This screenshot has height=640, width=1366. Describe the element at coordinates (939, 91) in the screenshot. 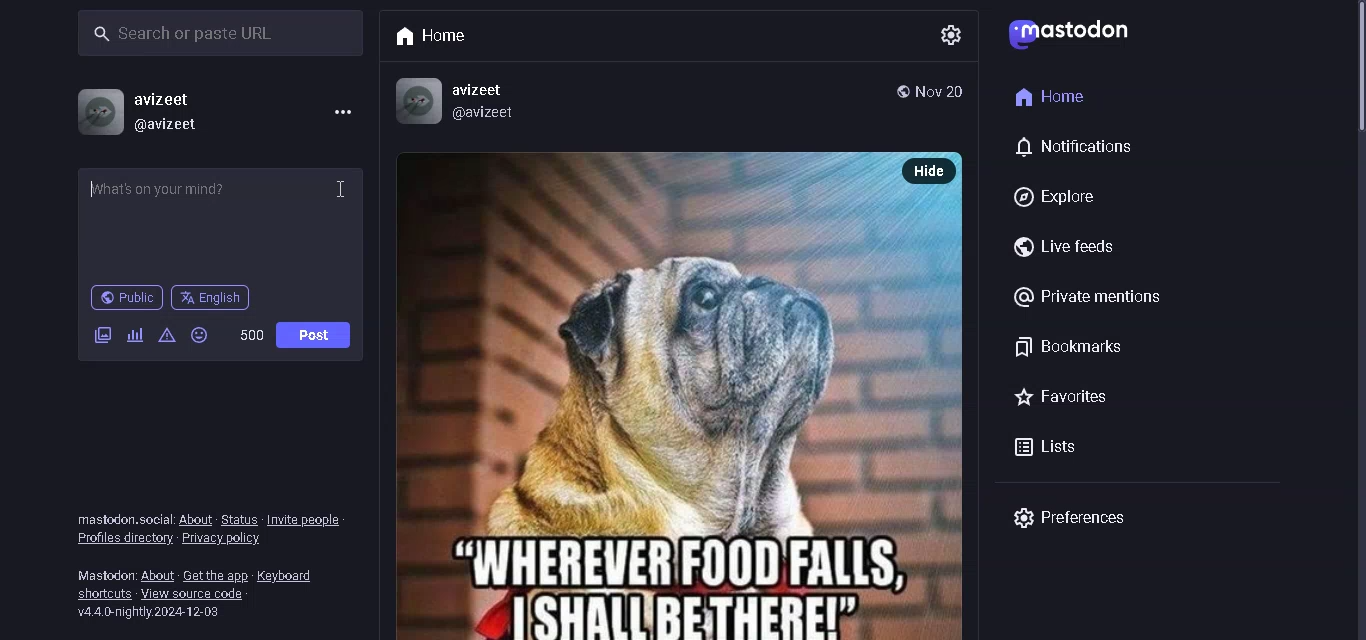

I see `Date posted` at that location.